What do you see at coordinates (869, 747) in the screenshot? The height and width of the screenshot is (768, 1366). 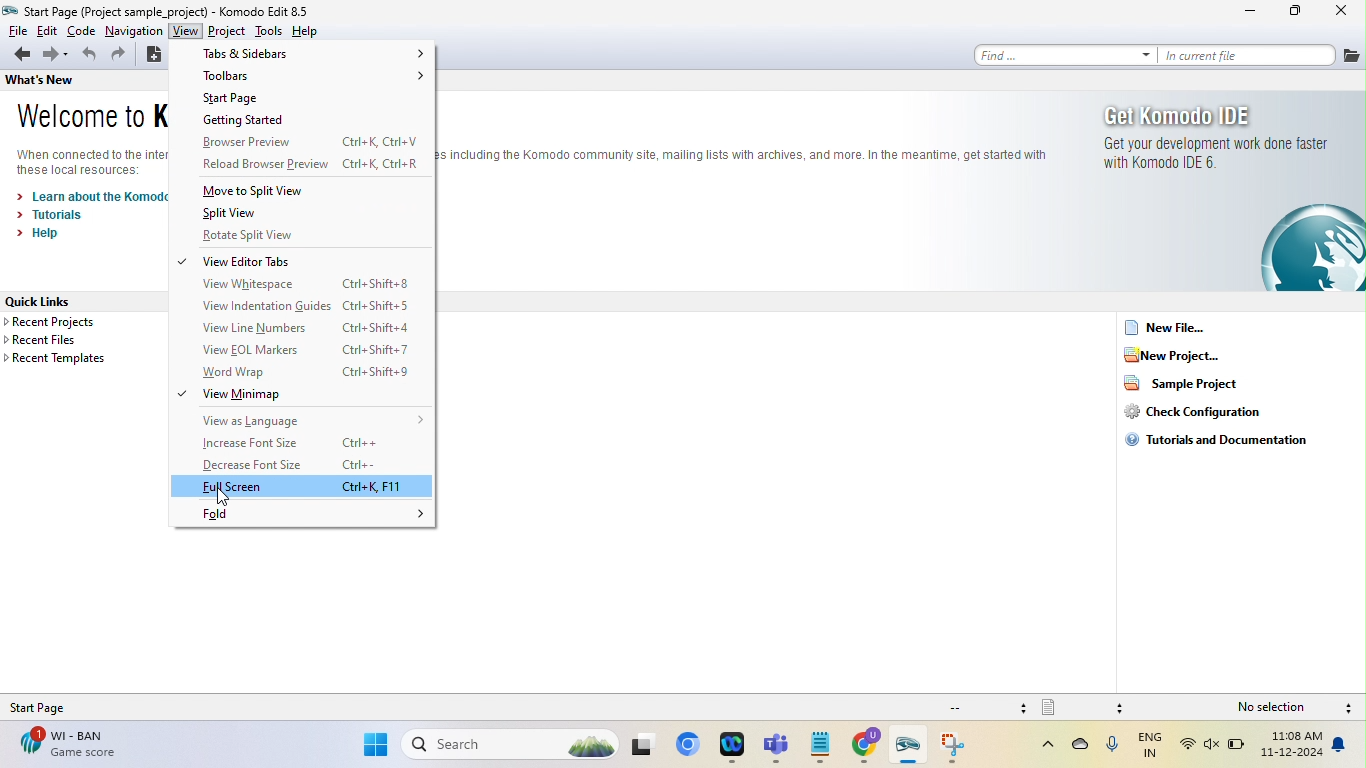 I see `apps on taskbar` at bounding box center [869, 747].